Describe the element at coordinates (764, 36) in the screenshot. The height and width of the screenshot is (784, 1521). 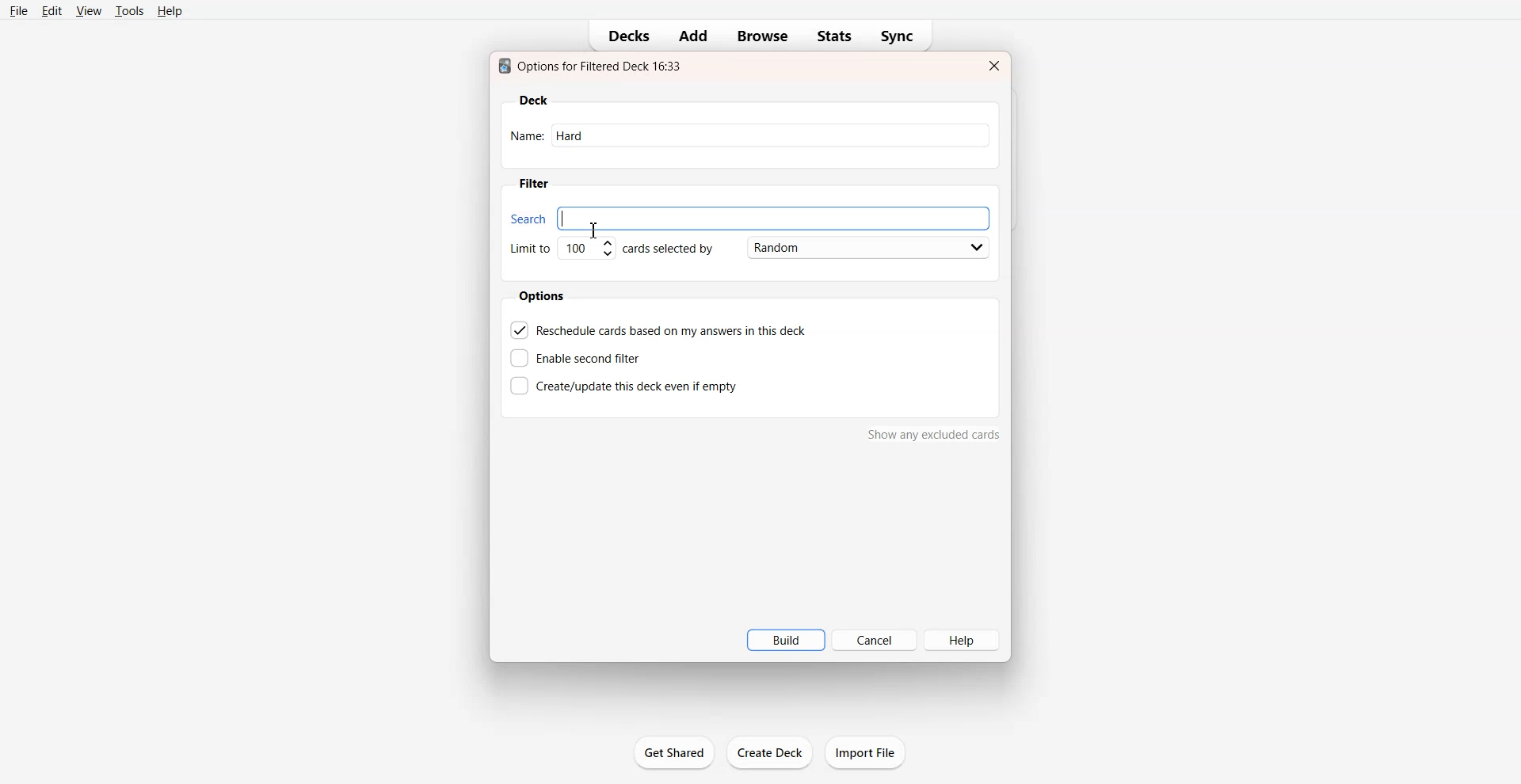
I see `Browse` at that location.